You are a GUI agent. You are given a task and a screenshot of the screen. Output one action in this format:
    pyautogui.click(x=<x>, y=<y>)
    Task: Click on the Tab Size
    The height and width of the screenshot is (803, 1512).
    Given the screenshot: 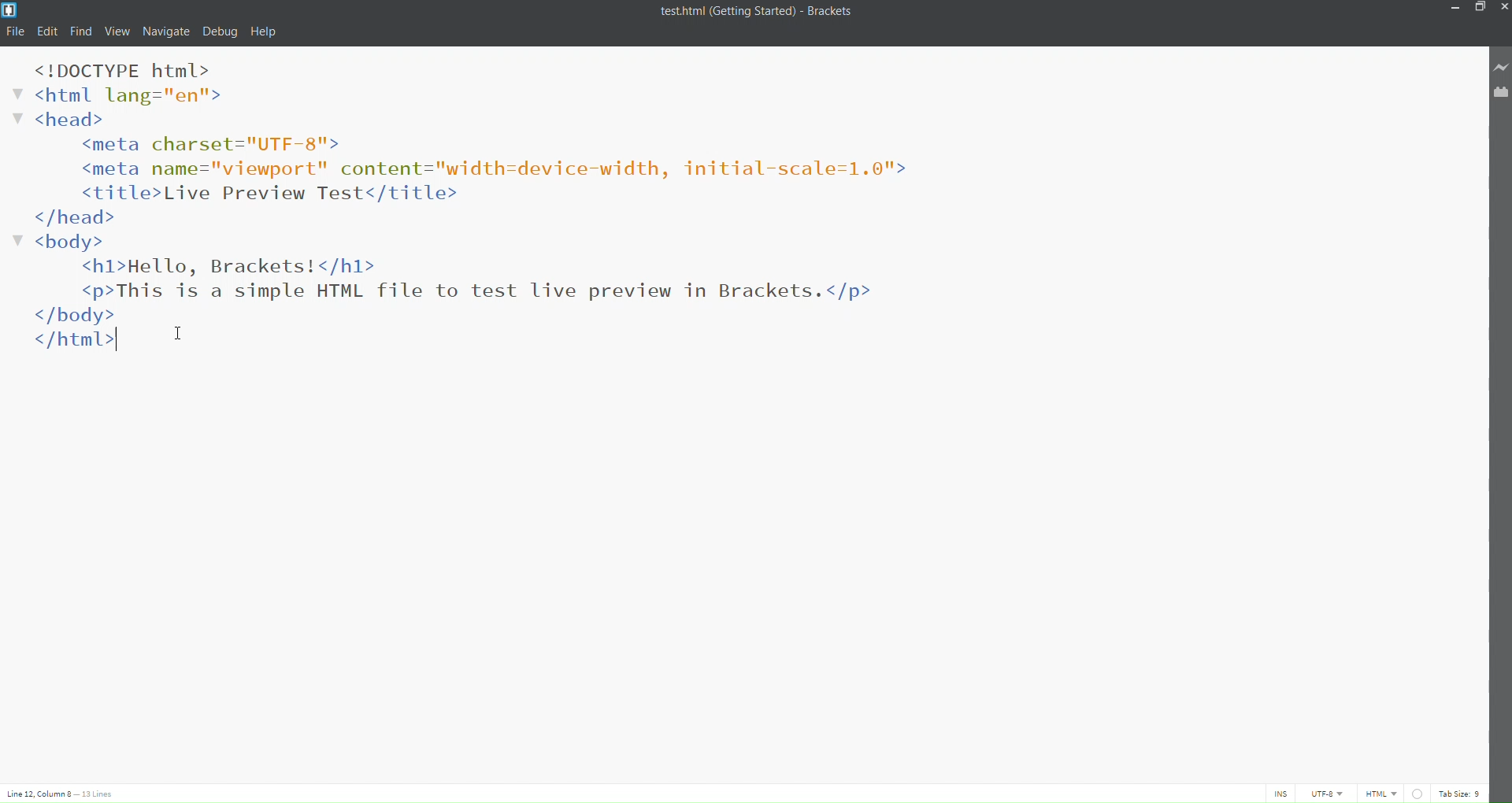 What is the action you would take?
    pyautogui.click(x=1460, y=794)
    